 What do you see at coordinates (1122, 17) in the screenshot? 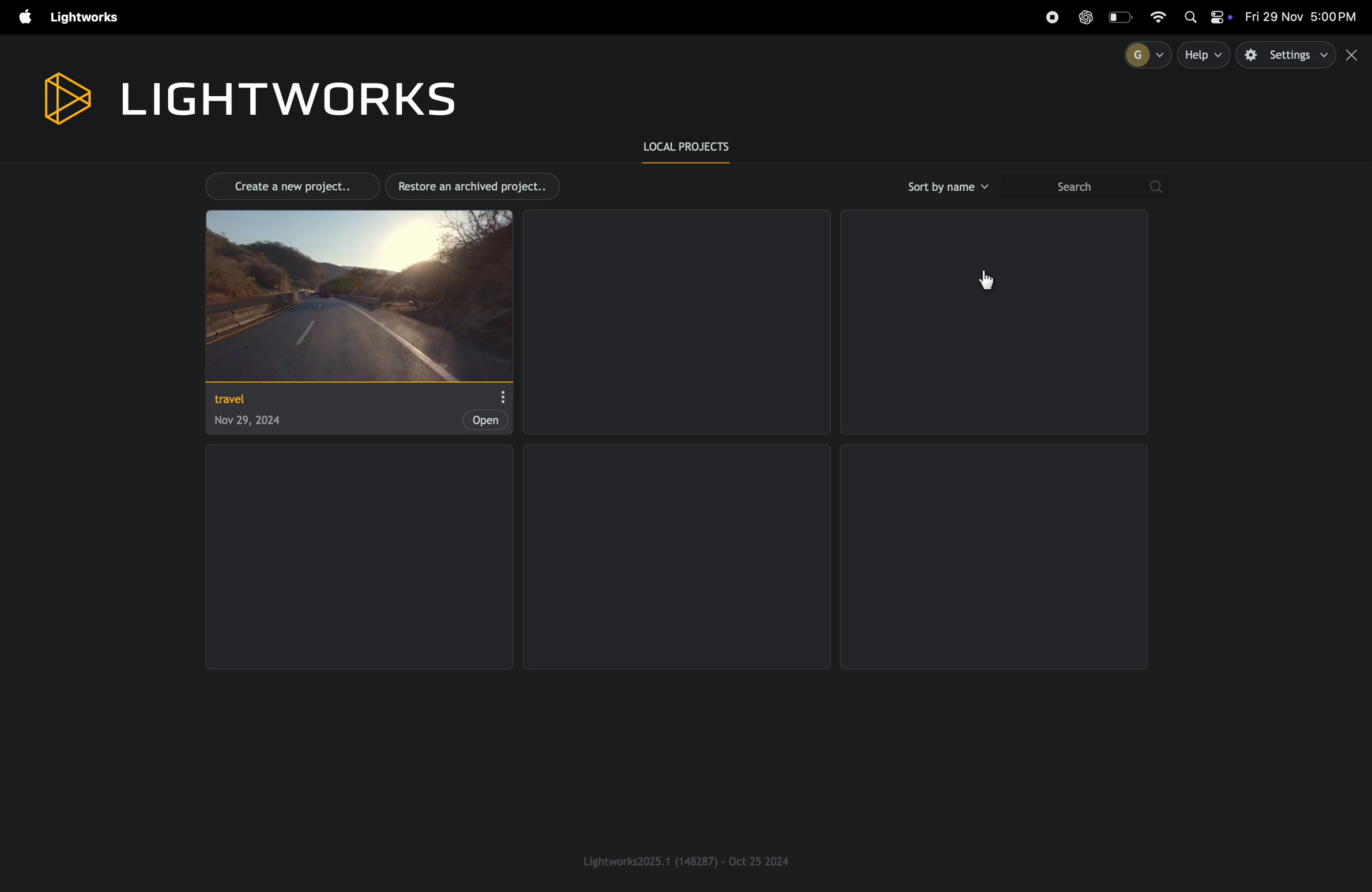
I see `battery` at bounding box center [1122, 17].